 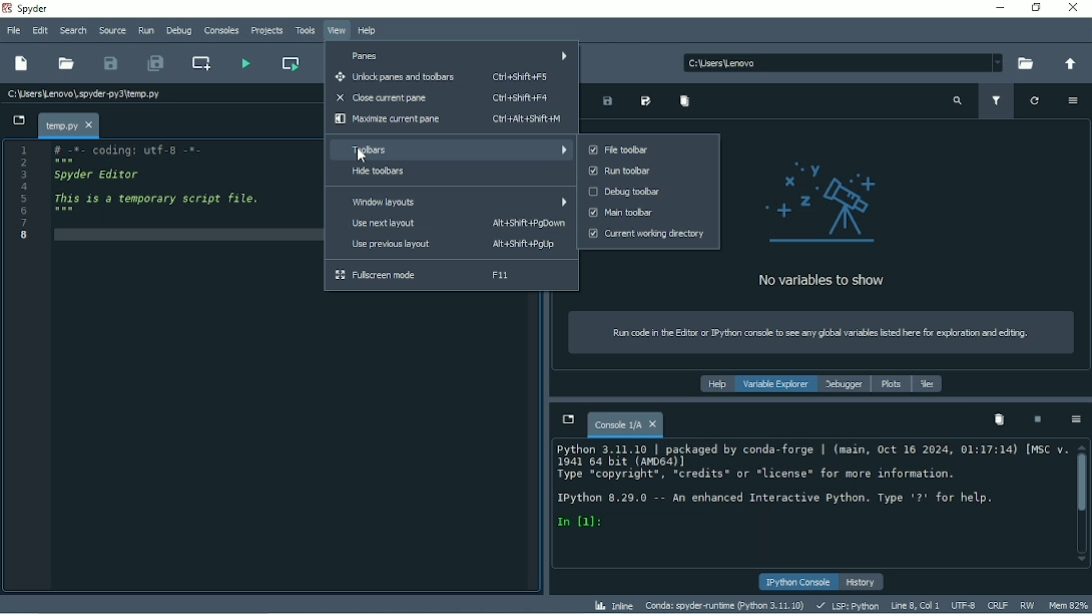 What do you see at coordinates (179, 31) in the screenshot?
I see `Debug` at bounding box center [179, 31].